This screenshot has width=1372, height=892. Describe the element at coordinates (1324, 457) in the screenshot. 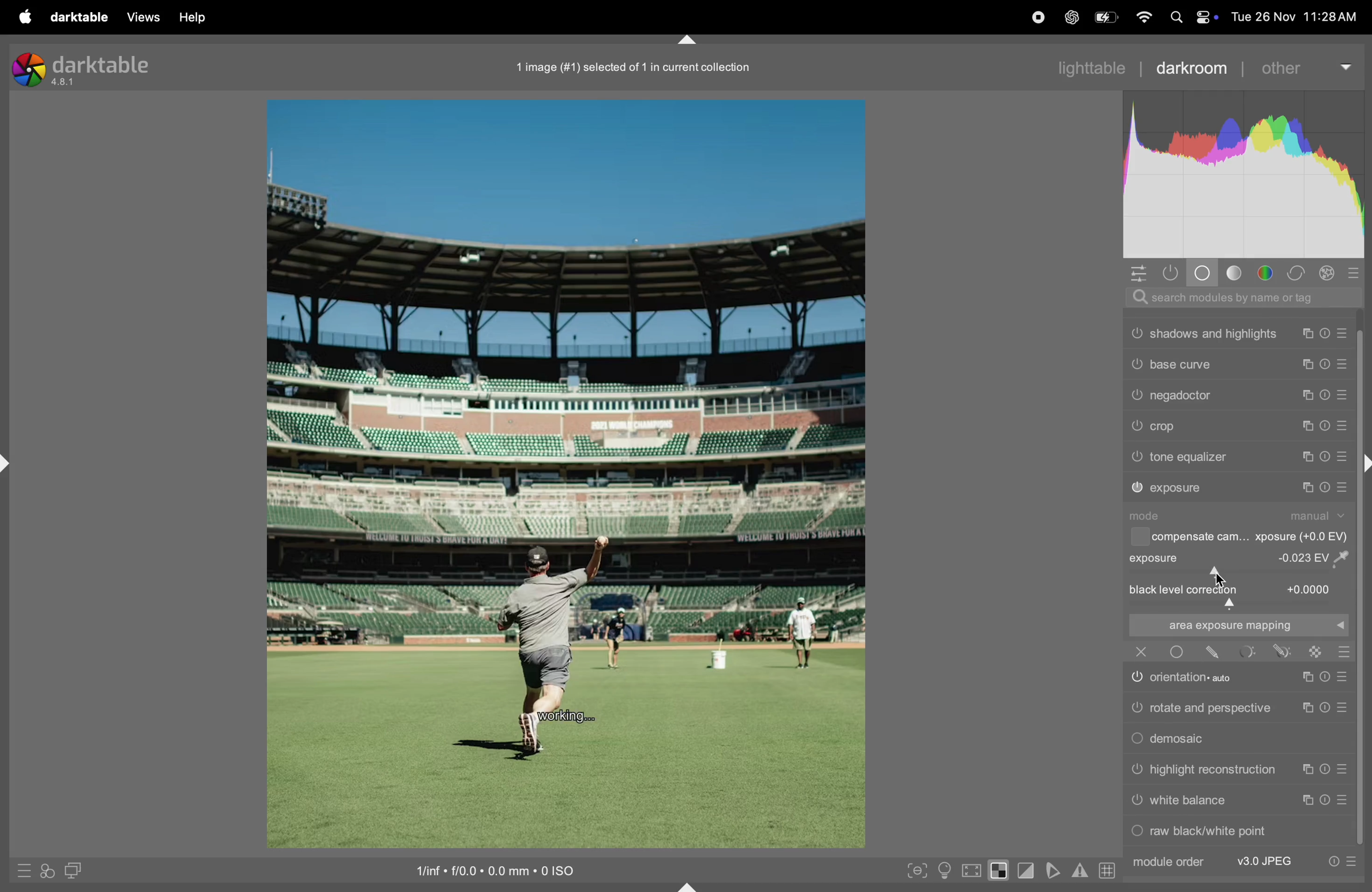

I see `reset presets` at that location.